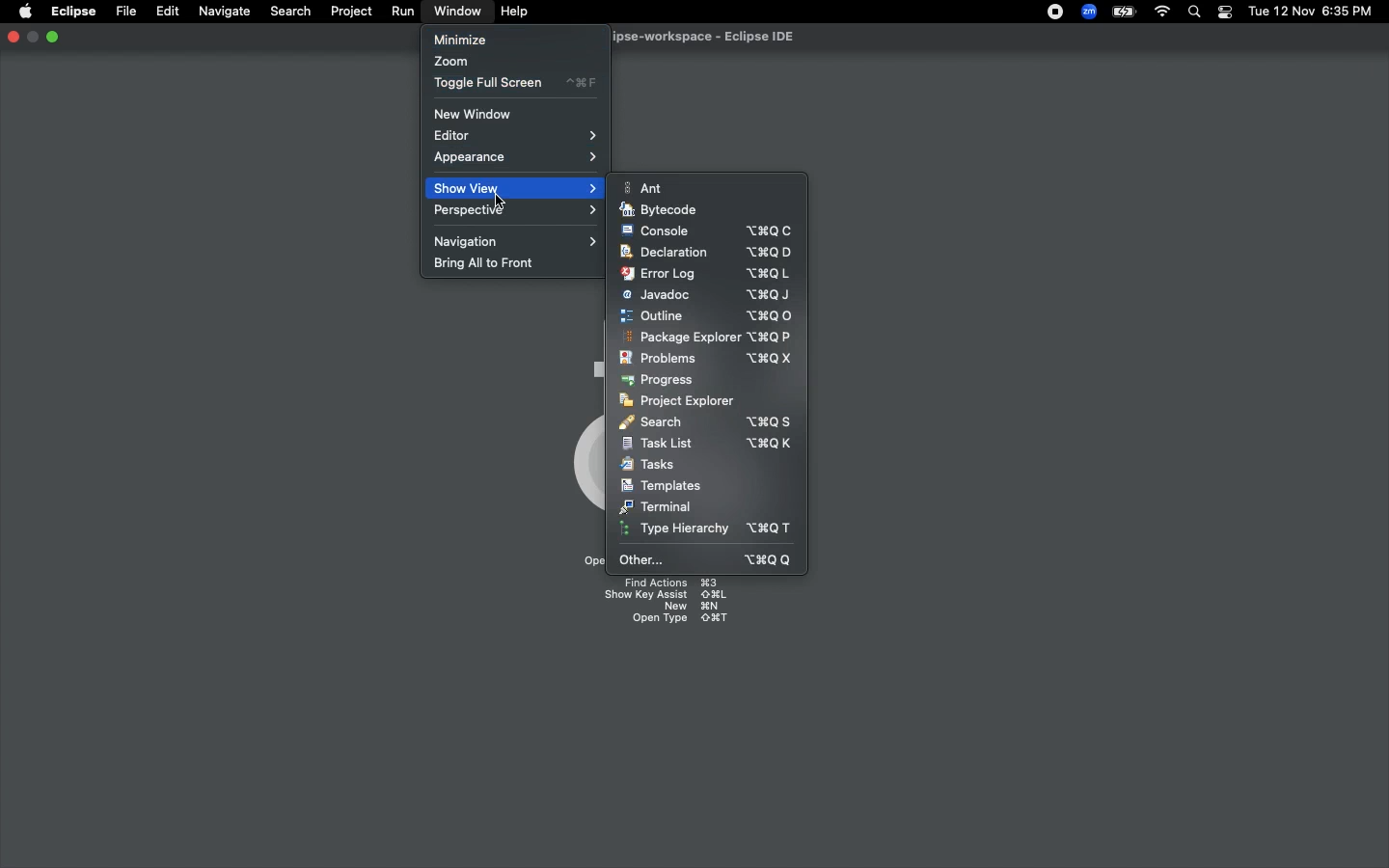 This screenshot has width=1389, height=868. What do you see at coordinates (288, 11) in the screenshot?
I see `Search` at bounding box center [288, 11].